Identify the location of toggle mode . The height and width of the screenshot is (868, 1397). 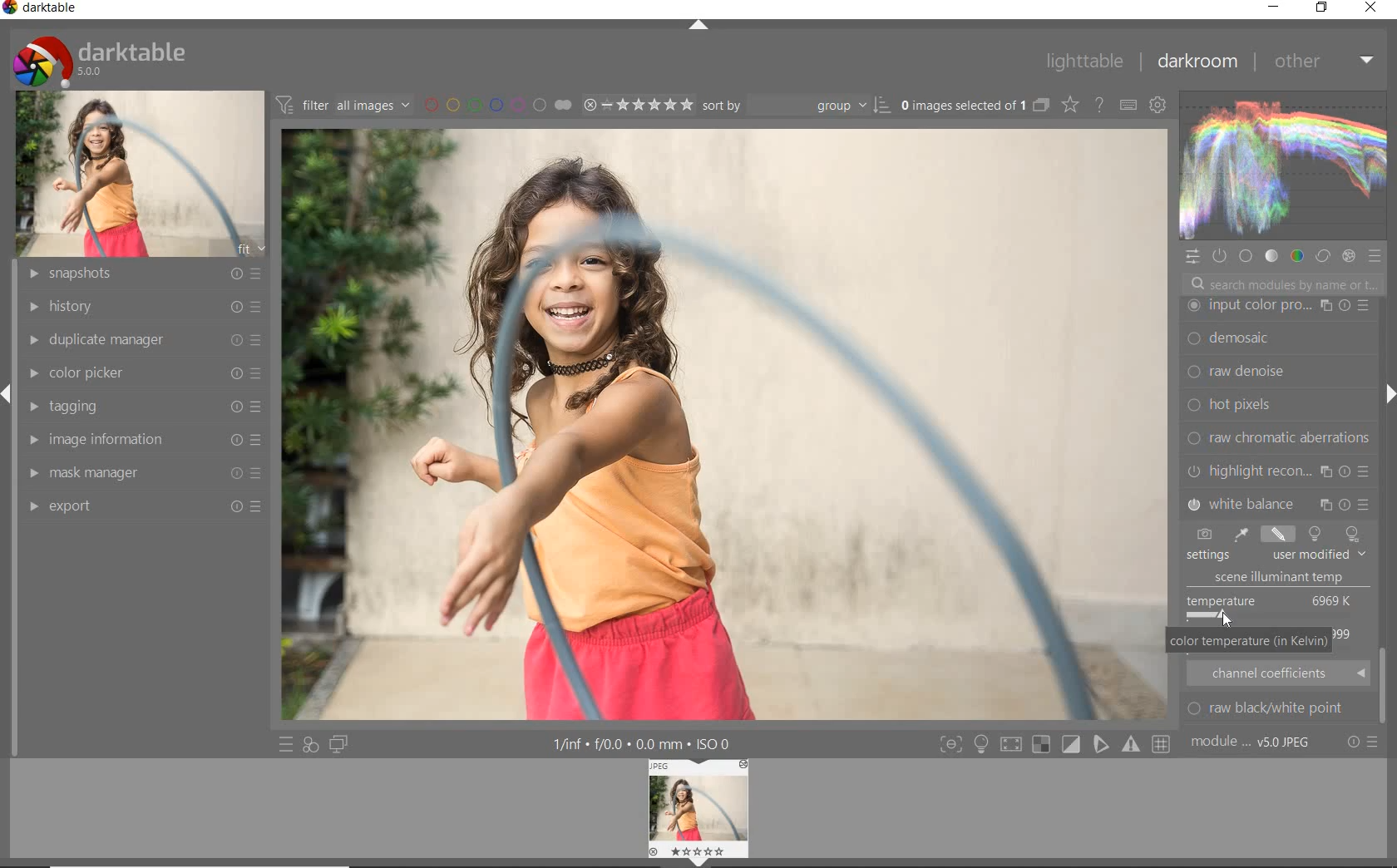
(1014, 743).